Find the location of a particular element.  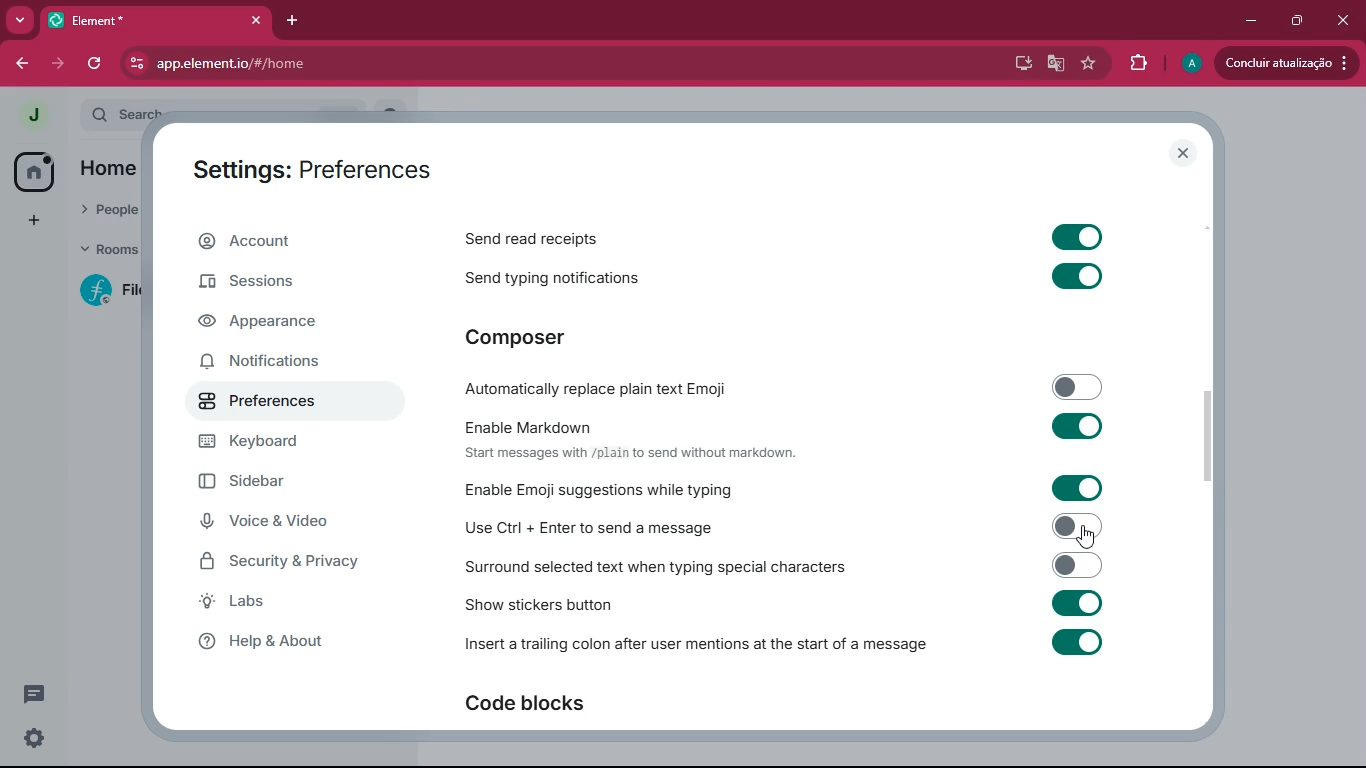

more is located at coordinates (20, 21).